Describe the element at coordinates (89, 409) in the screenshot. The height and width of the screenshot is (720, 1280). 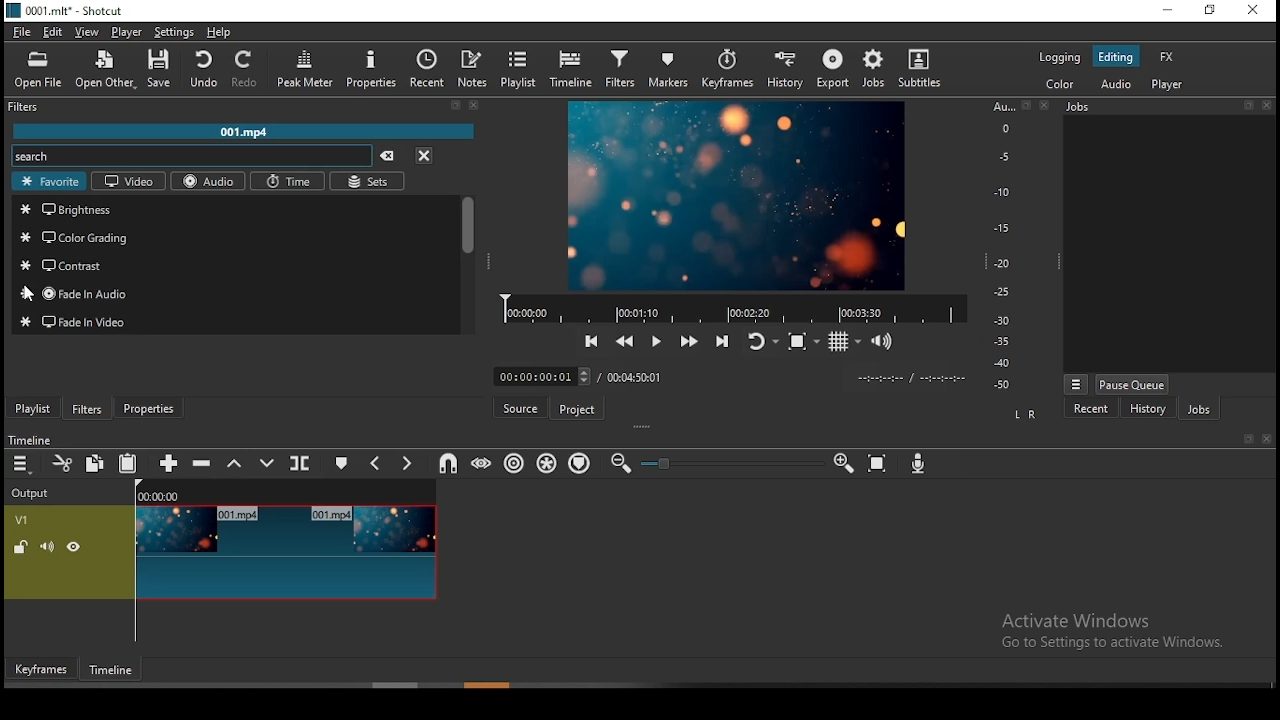
I see `filters` at that location.